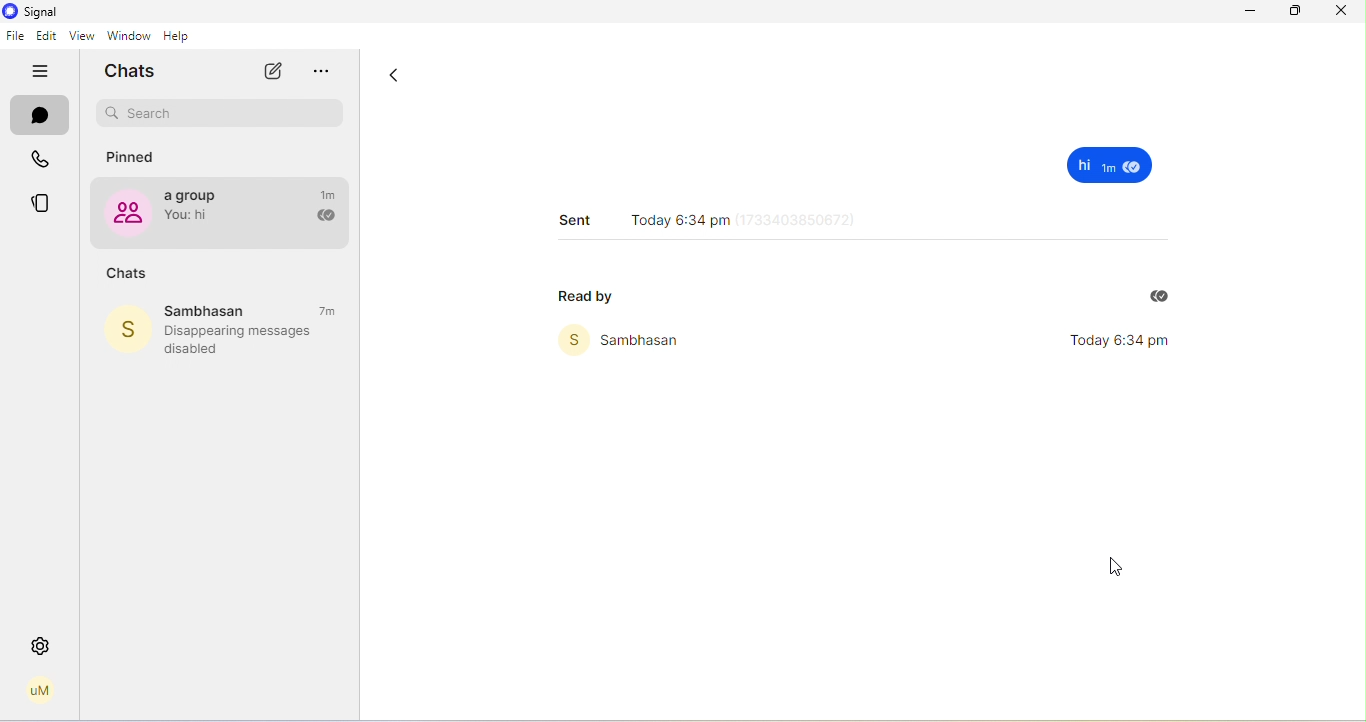 The width and height of the screenshot is (1366, 722). Describe the element at coordinates (47, 37) in the screenshot. I see `edit` at that location.